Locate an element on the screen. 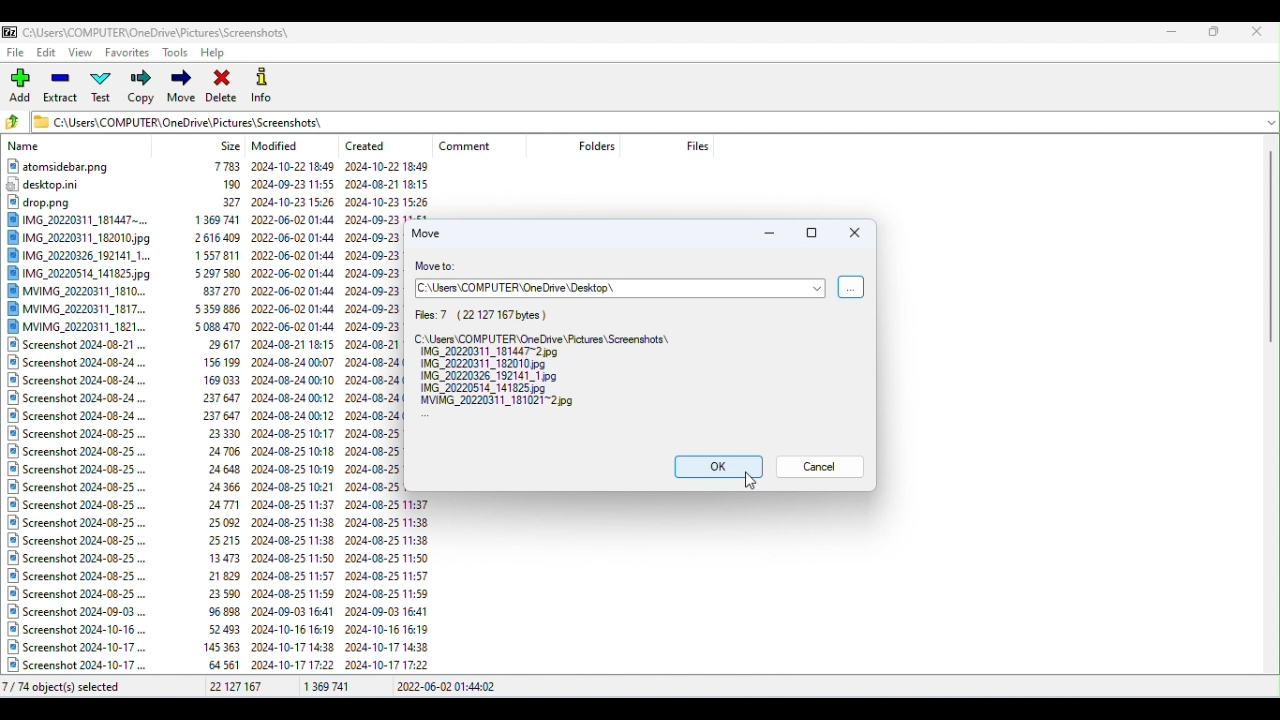  File address bar is located at coordinates (643, 120).